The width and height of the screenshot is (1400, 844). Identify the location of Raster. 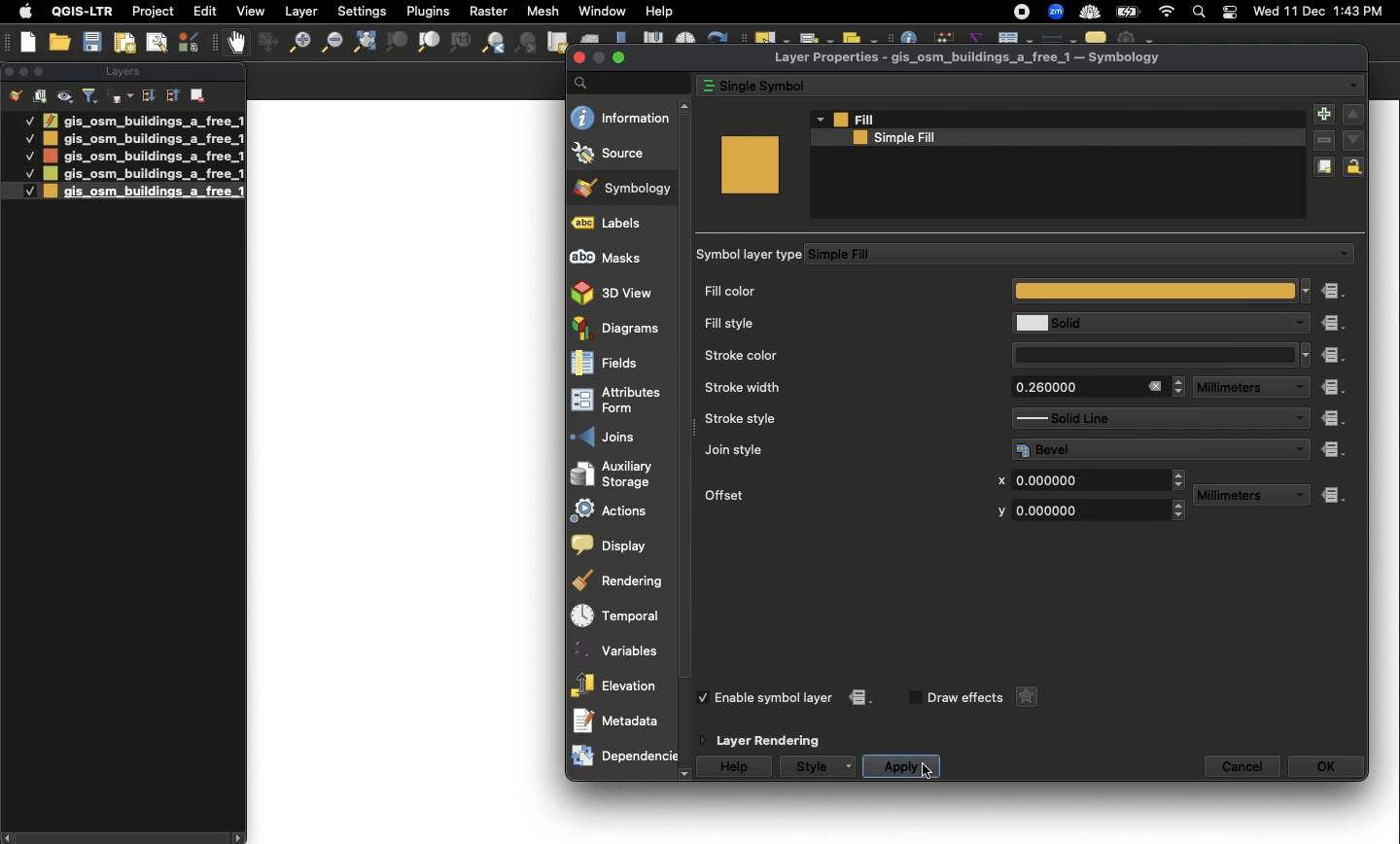
(486, 12).